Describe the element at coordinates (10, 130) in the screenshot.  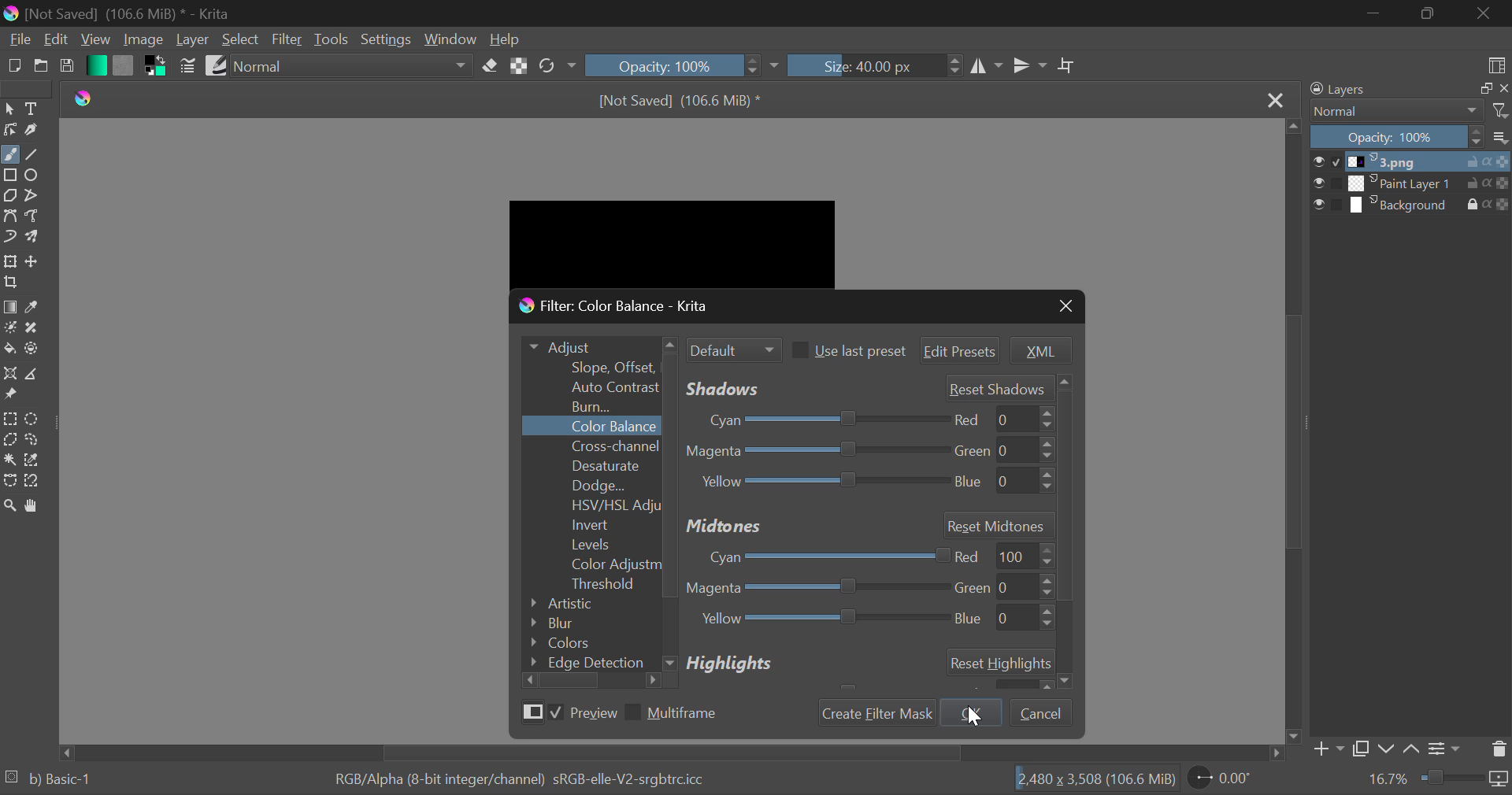
I see `Edit Shapes` at that location.